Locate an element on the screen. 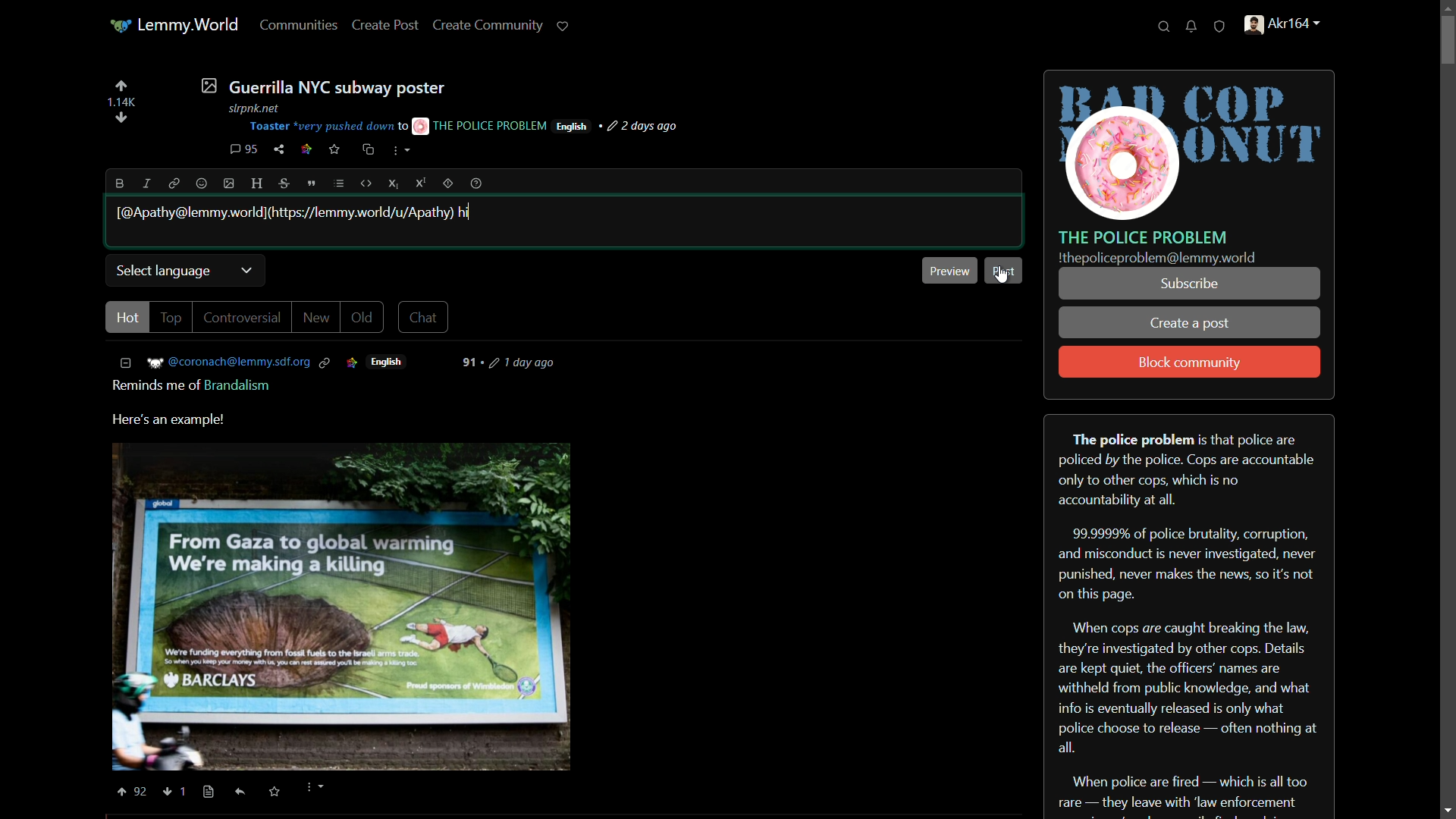 This screenshot has width=1456, height=819. scroll bar is located at coordinates (1444, 409).